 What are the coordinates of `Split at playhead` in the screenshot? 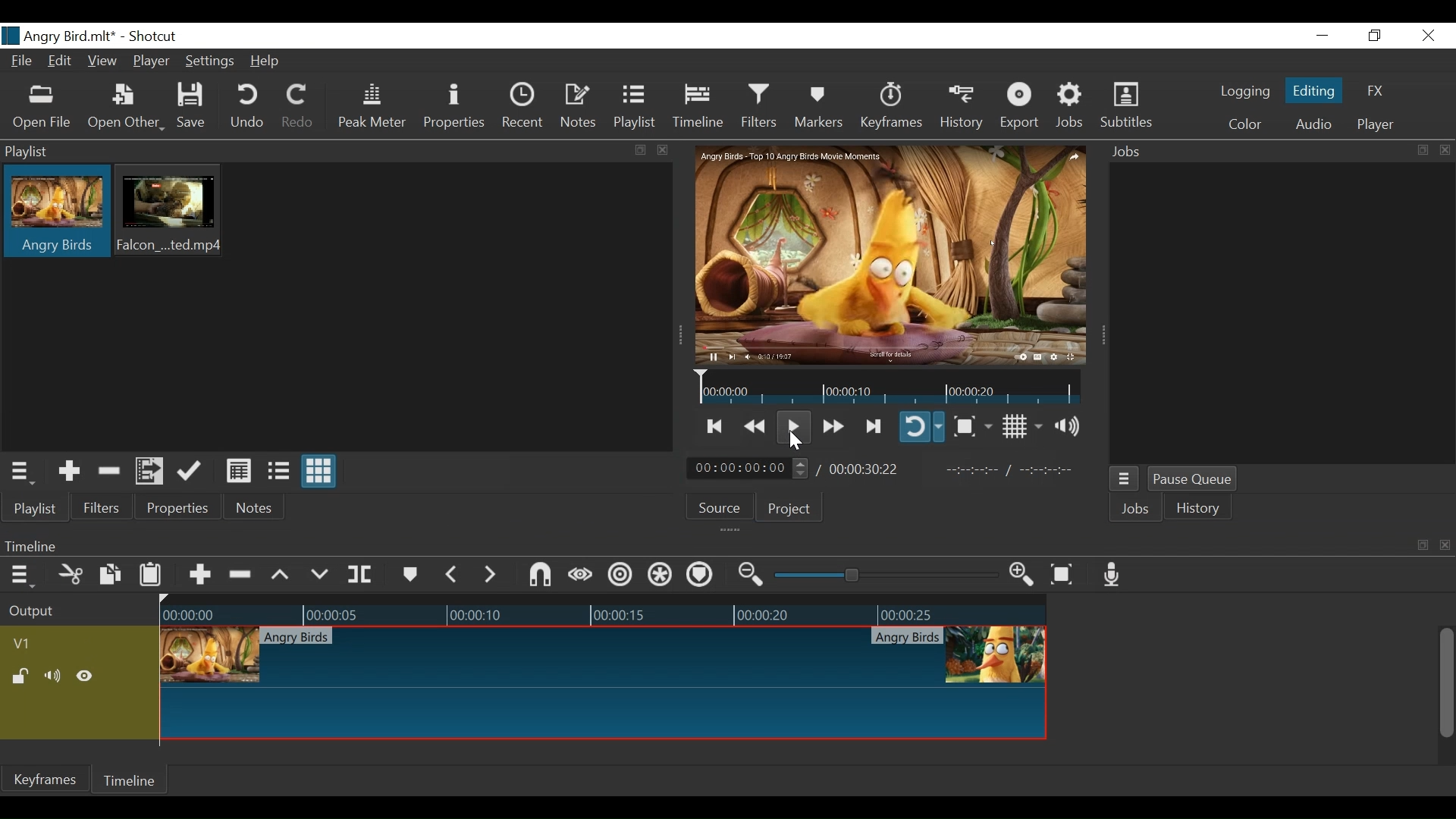 It's located at (366, 575).